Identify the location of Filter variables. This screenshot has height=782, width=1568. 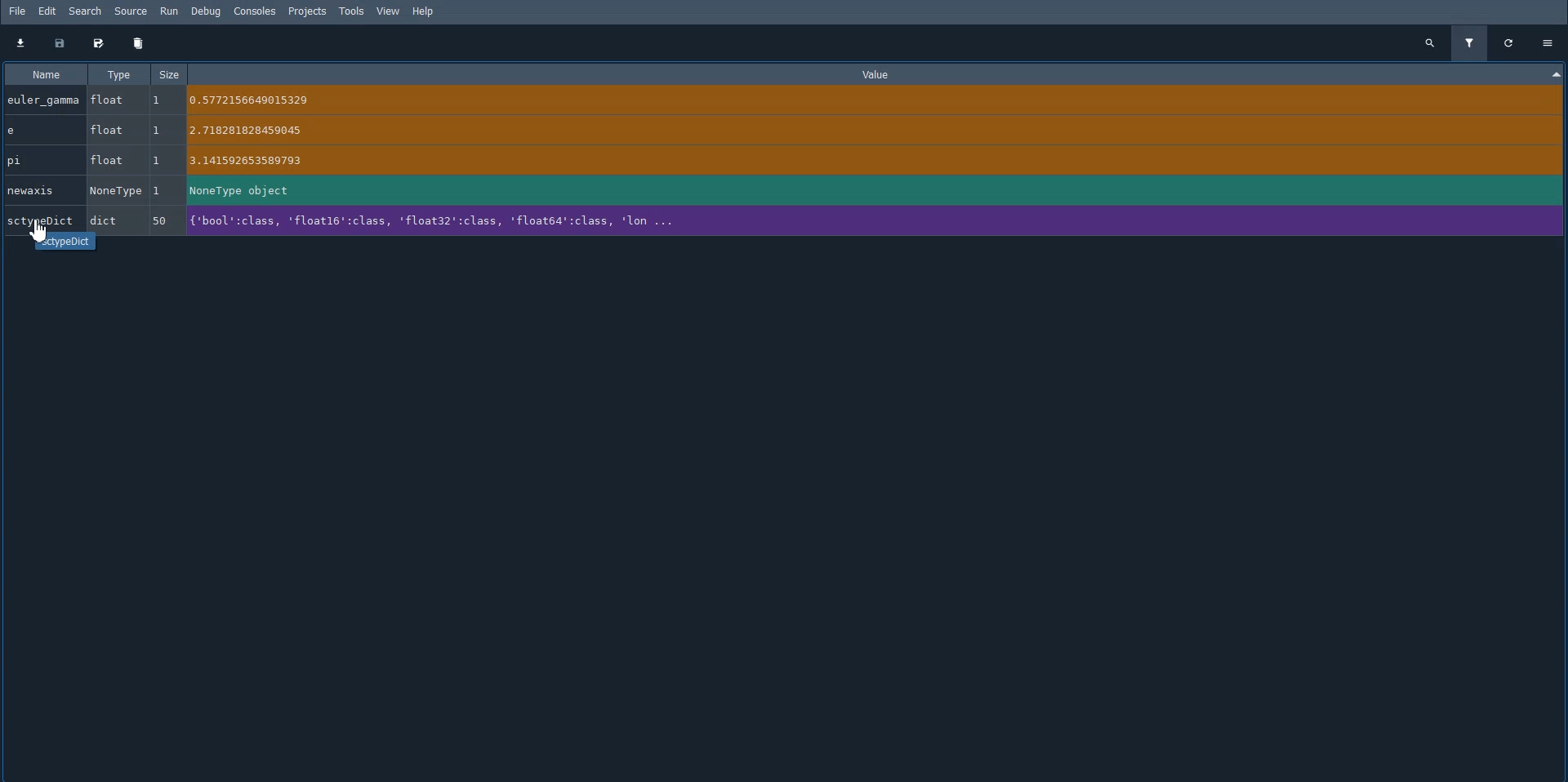
(1472, 42).